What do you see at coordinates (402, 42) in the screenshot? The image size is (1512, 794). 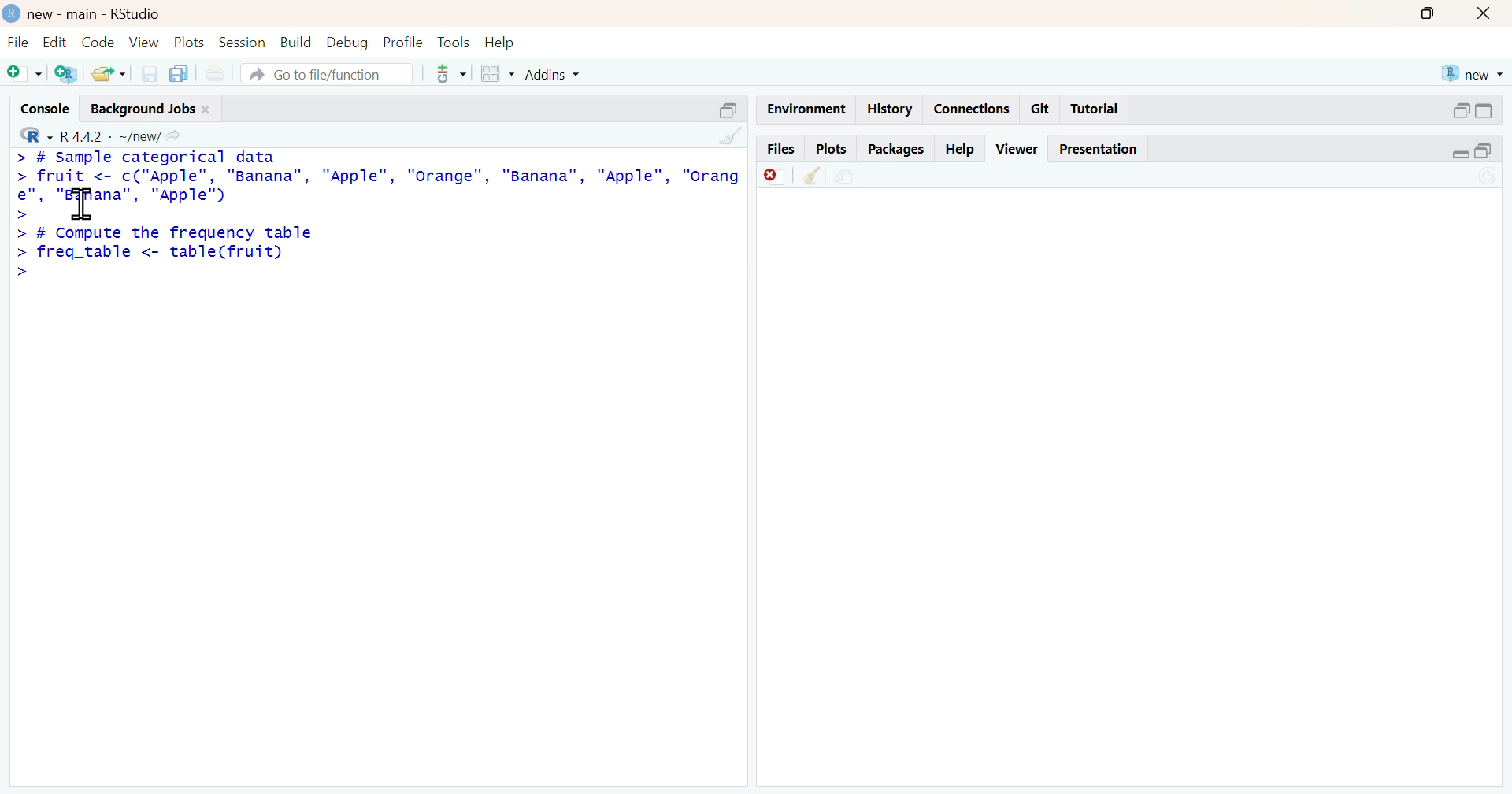 I see `profile` at bounding box center [402, 42].